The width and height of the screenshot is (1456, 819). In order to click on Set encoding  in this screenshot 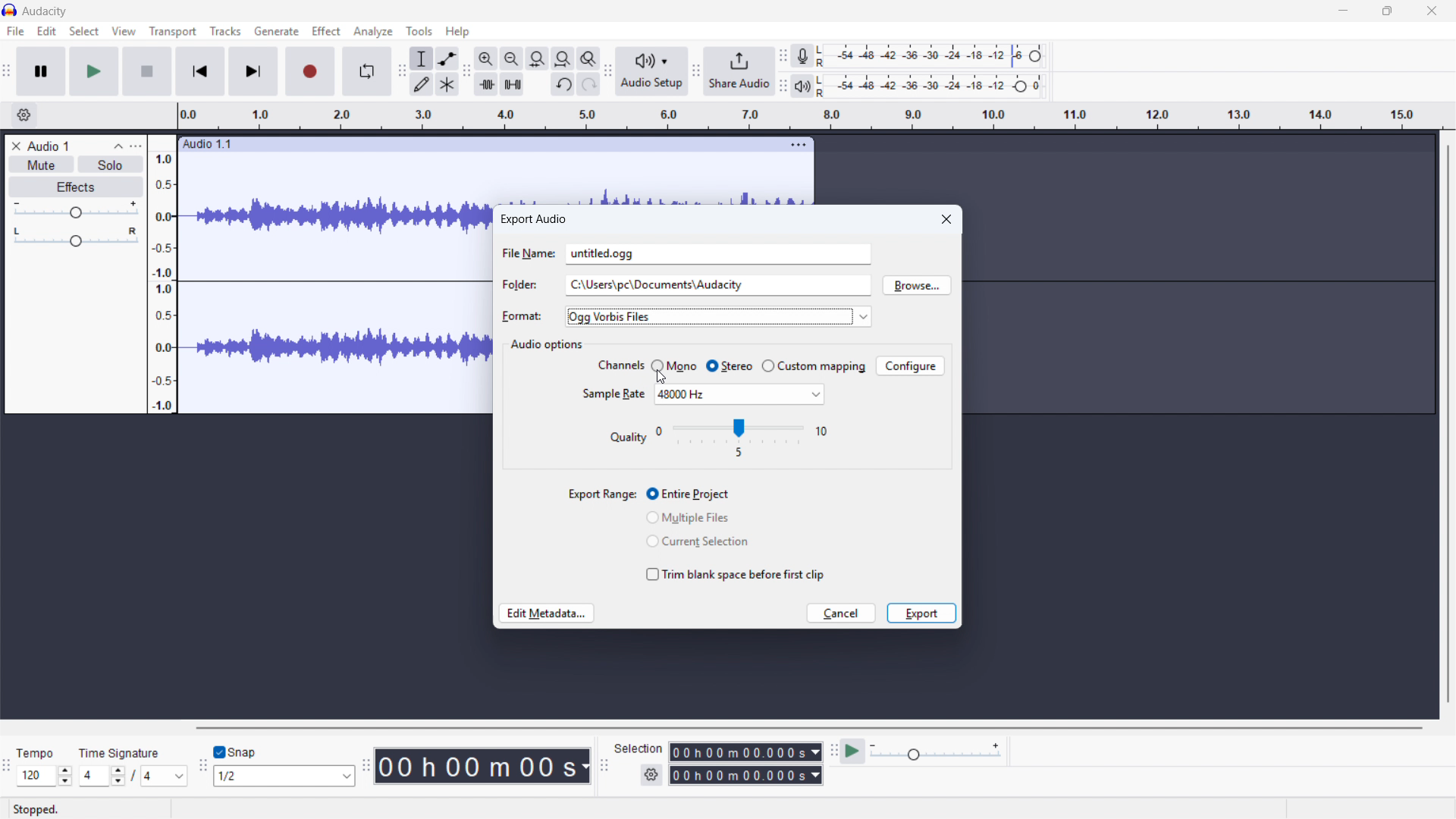, I will do `click(741, 428)`.